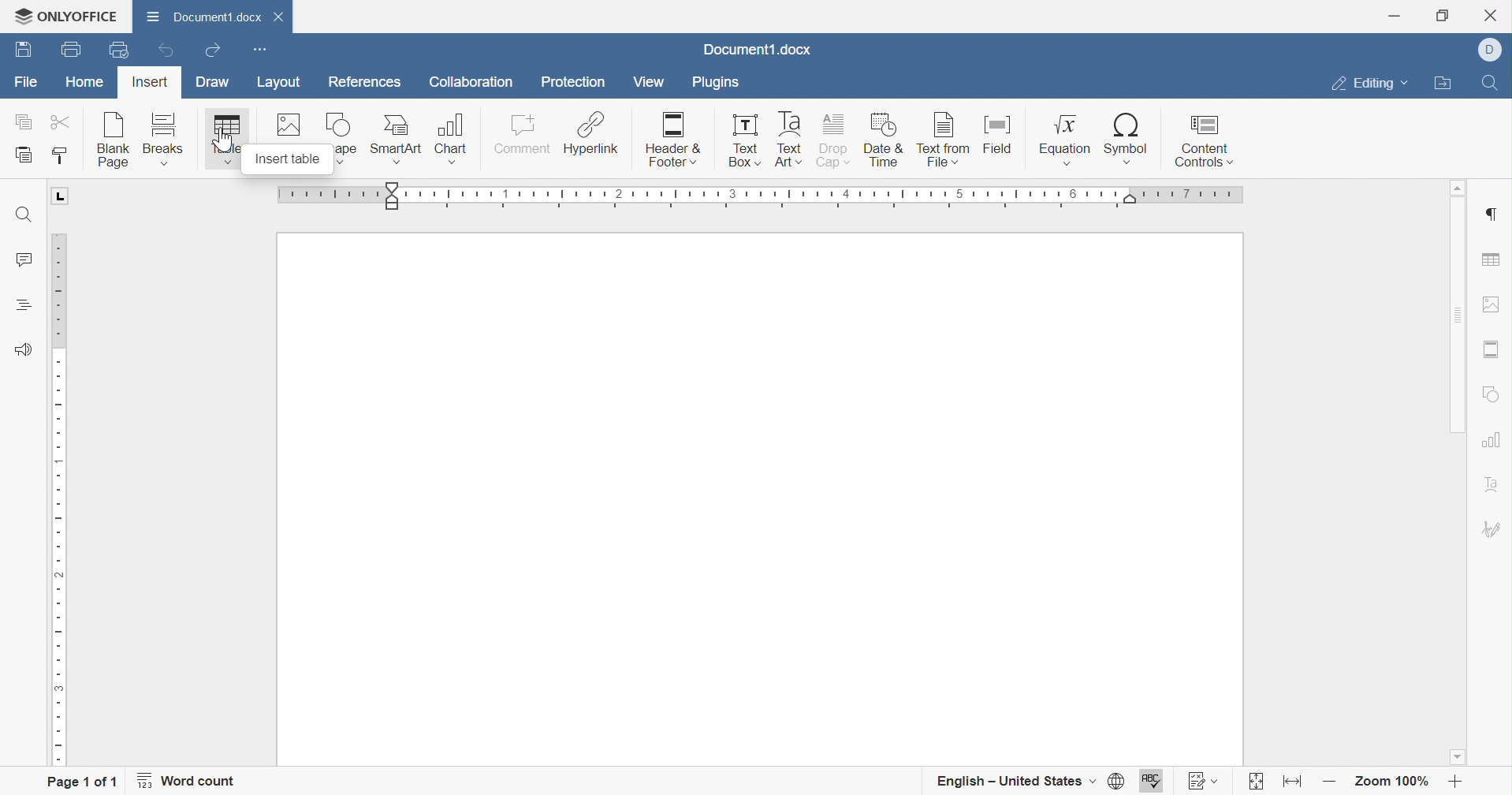 This screenshot has height=795, width=1512. Describe the element at coordinates (744, 142) in the screenshot. I see `Text box` at that location.